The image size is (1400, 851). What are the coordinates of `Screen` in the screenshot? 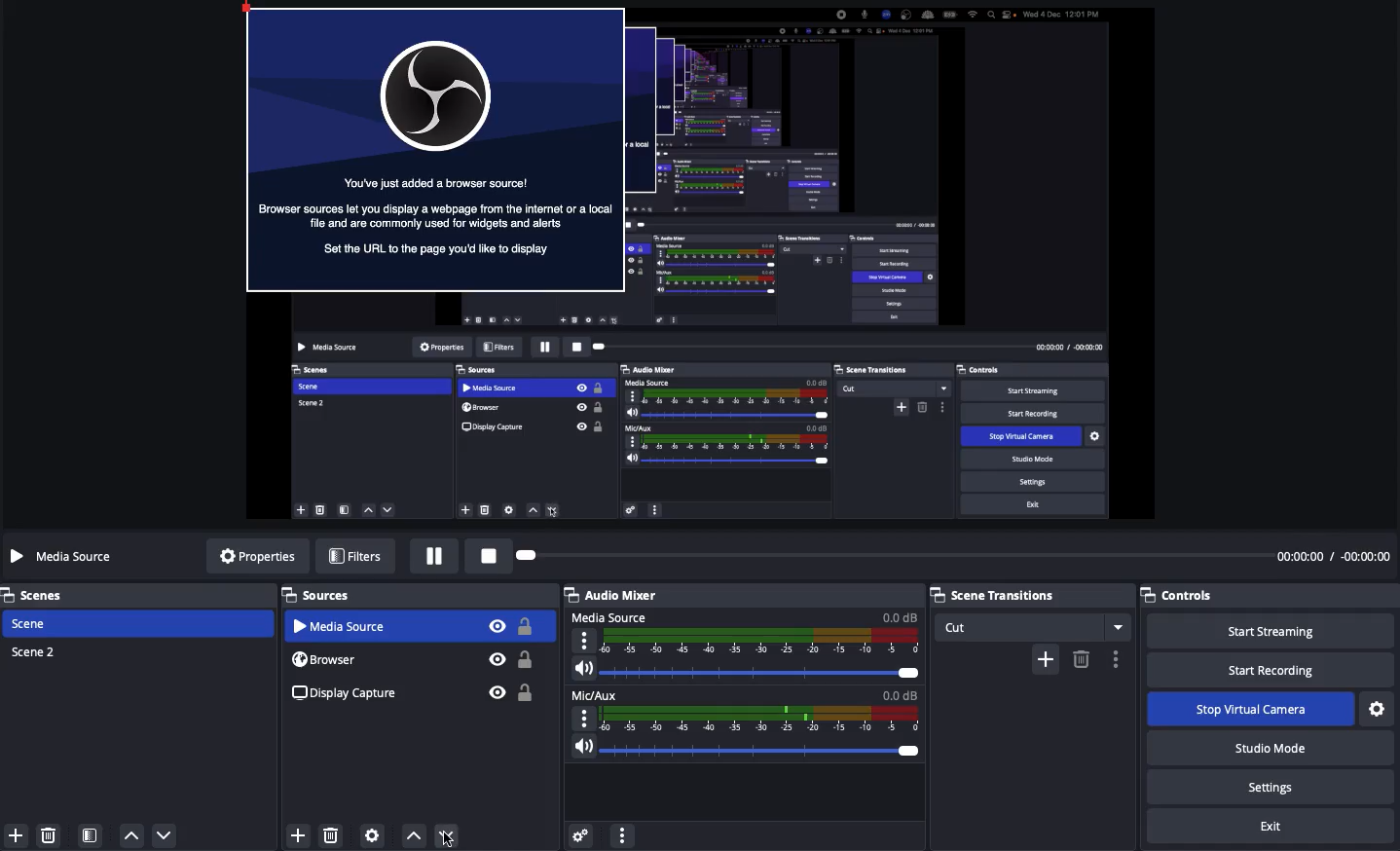 It's located at (701, 260).